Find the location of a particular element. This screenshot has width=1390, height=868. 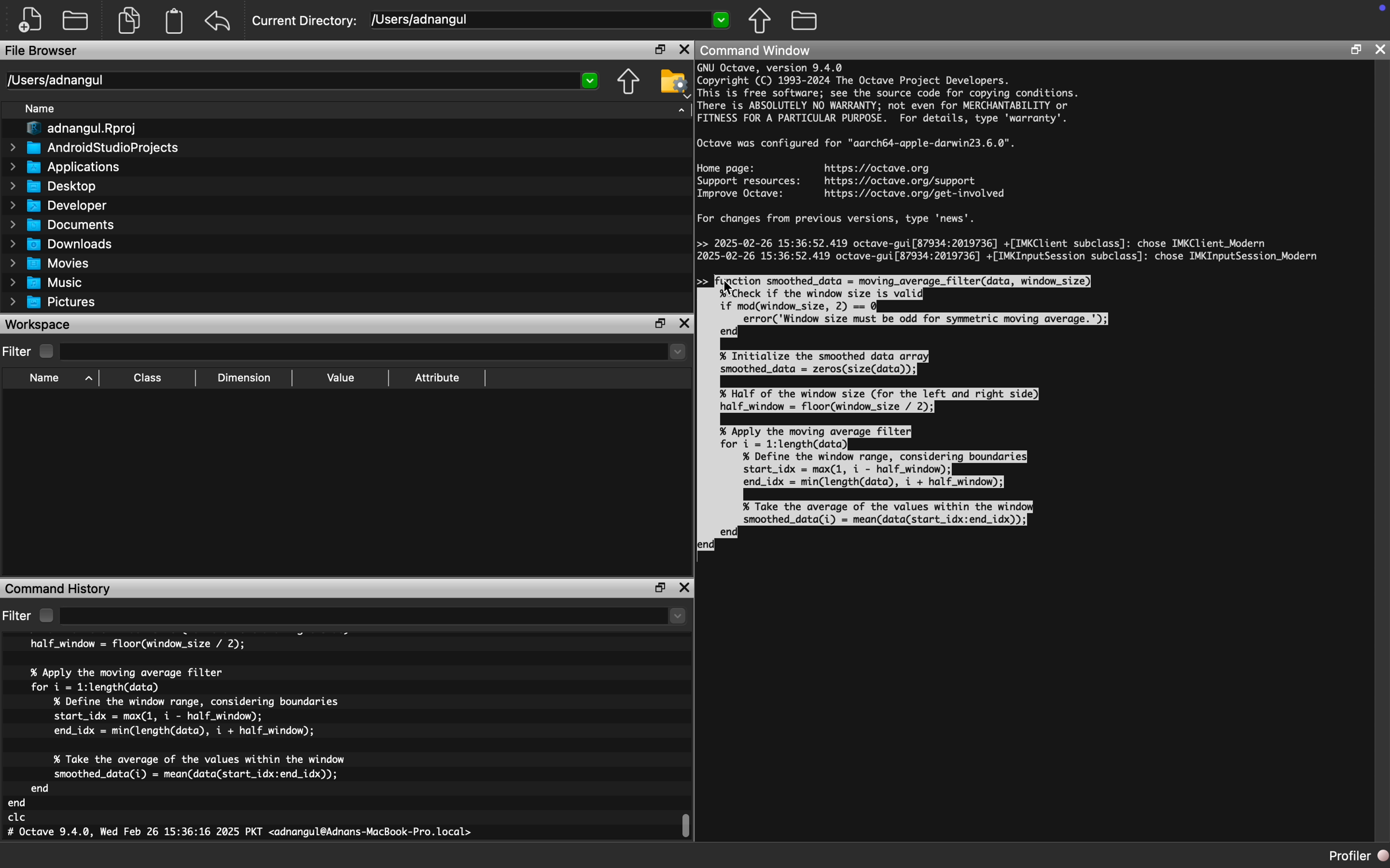

Command History is located at coordinates (58, 589).